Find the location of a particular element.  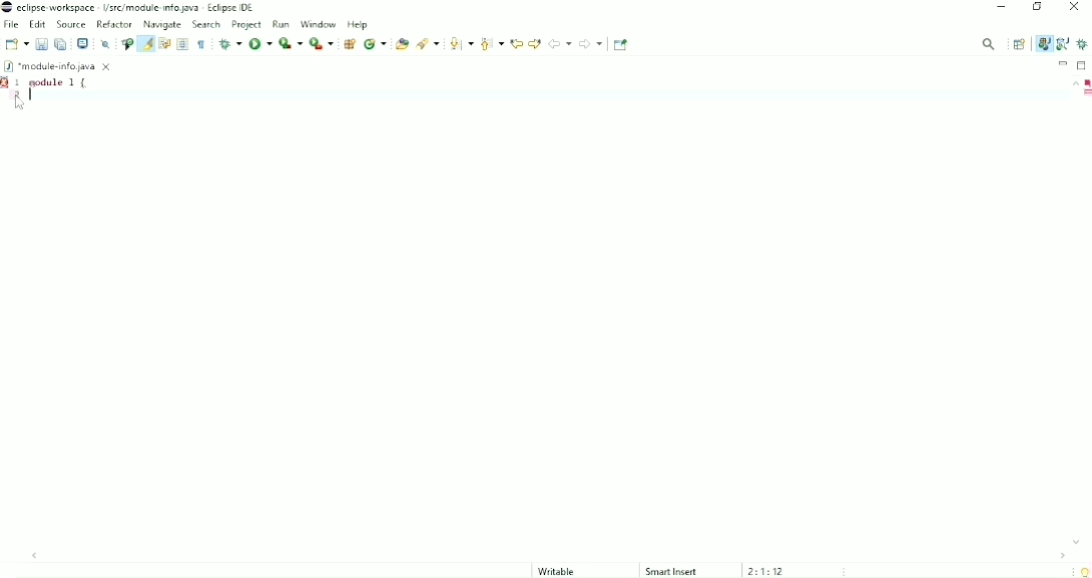

Writable is located at coordinates (565, 571).